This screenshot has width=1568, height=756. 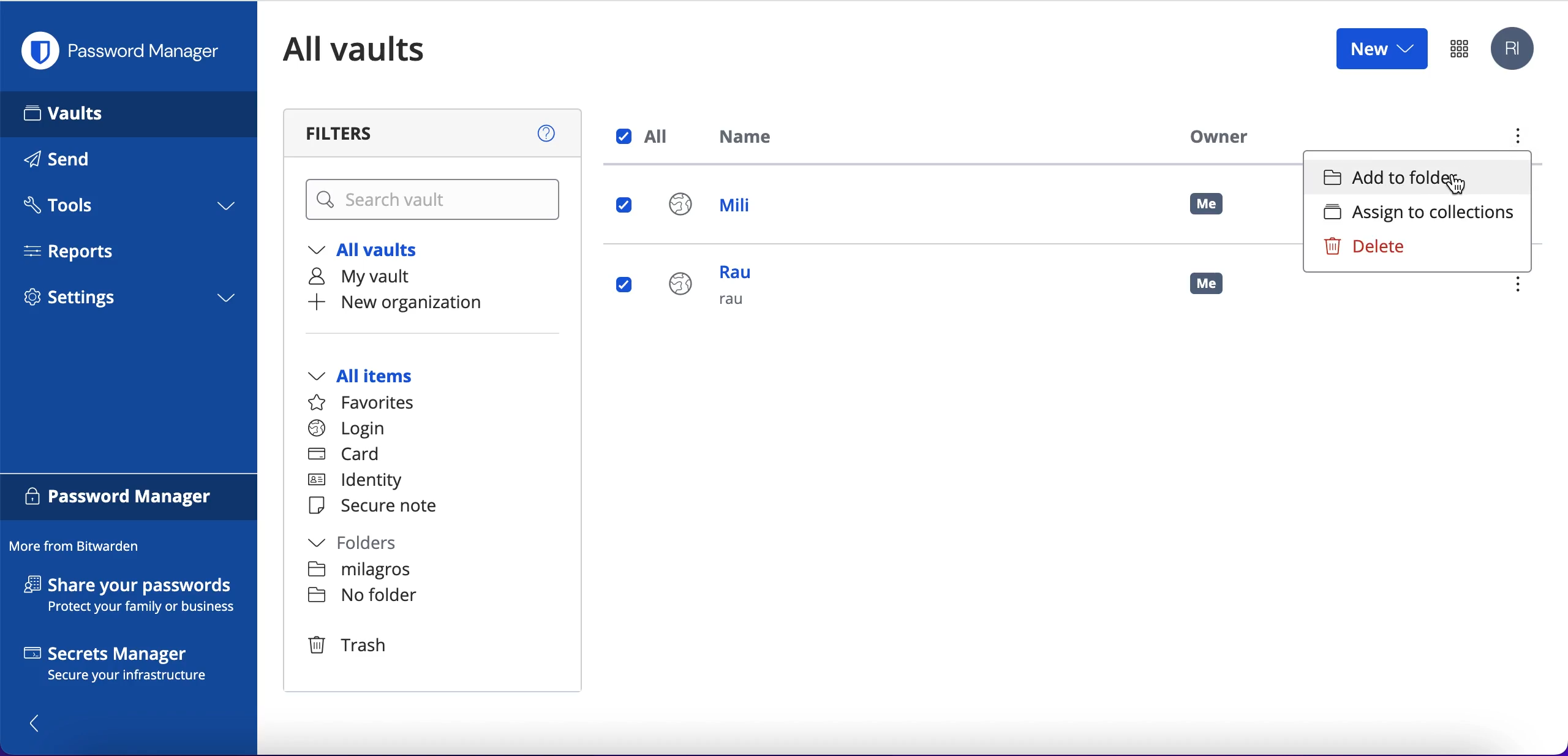 I want to click on folders, so click(x=366, y=545).